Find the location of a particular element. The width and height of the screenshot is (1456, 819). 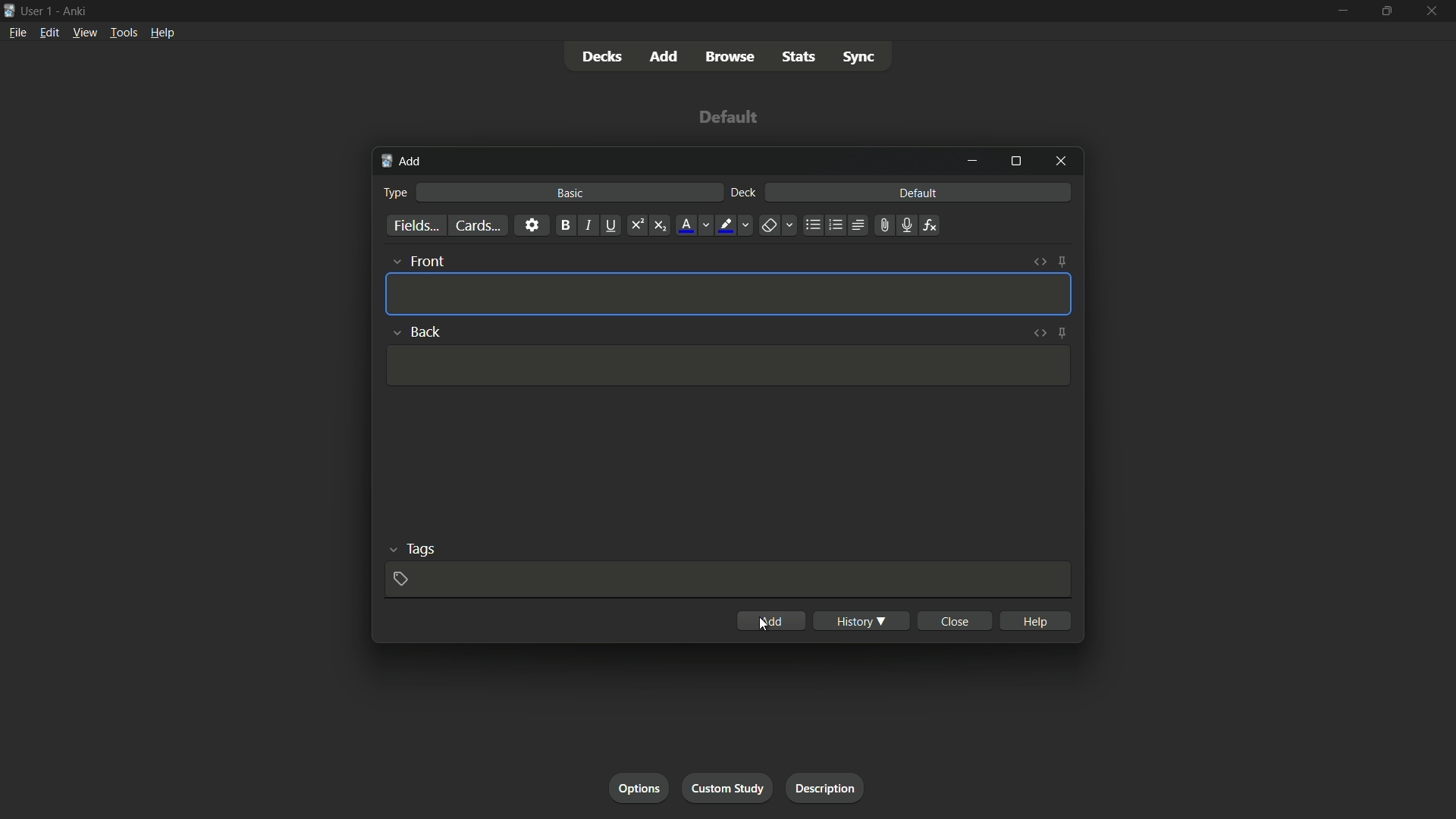

alignment is located at coordinates (859, 224).